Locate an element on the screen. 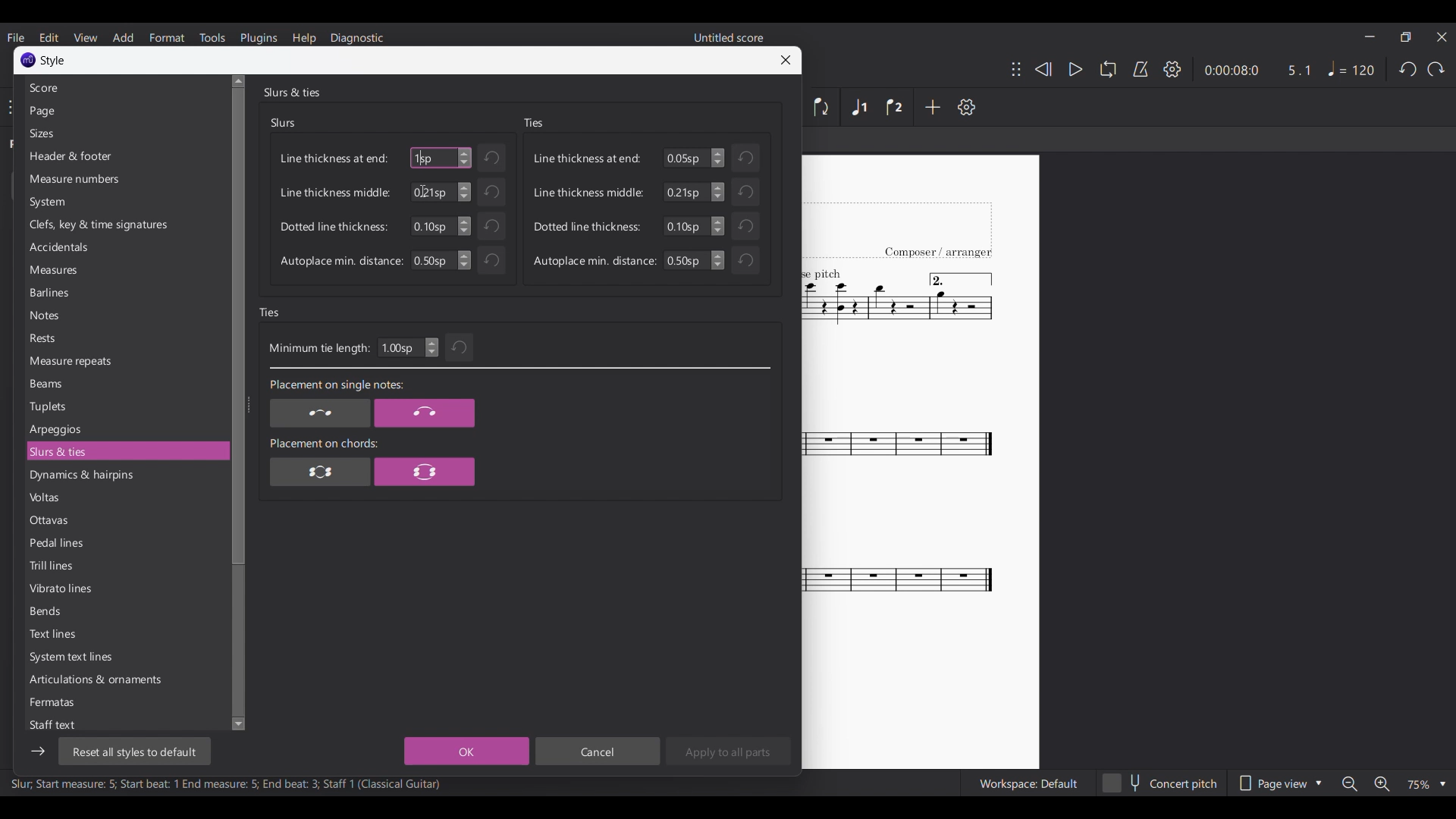 This screenshot has height=819, width=1456. Current ratio is located at coordinates (1299, 70).